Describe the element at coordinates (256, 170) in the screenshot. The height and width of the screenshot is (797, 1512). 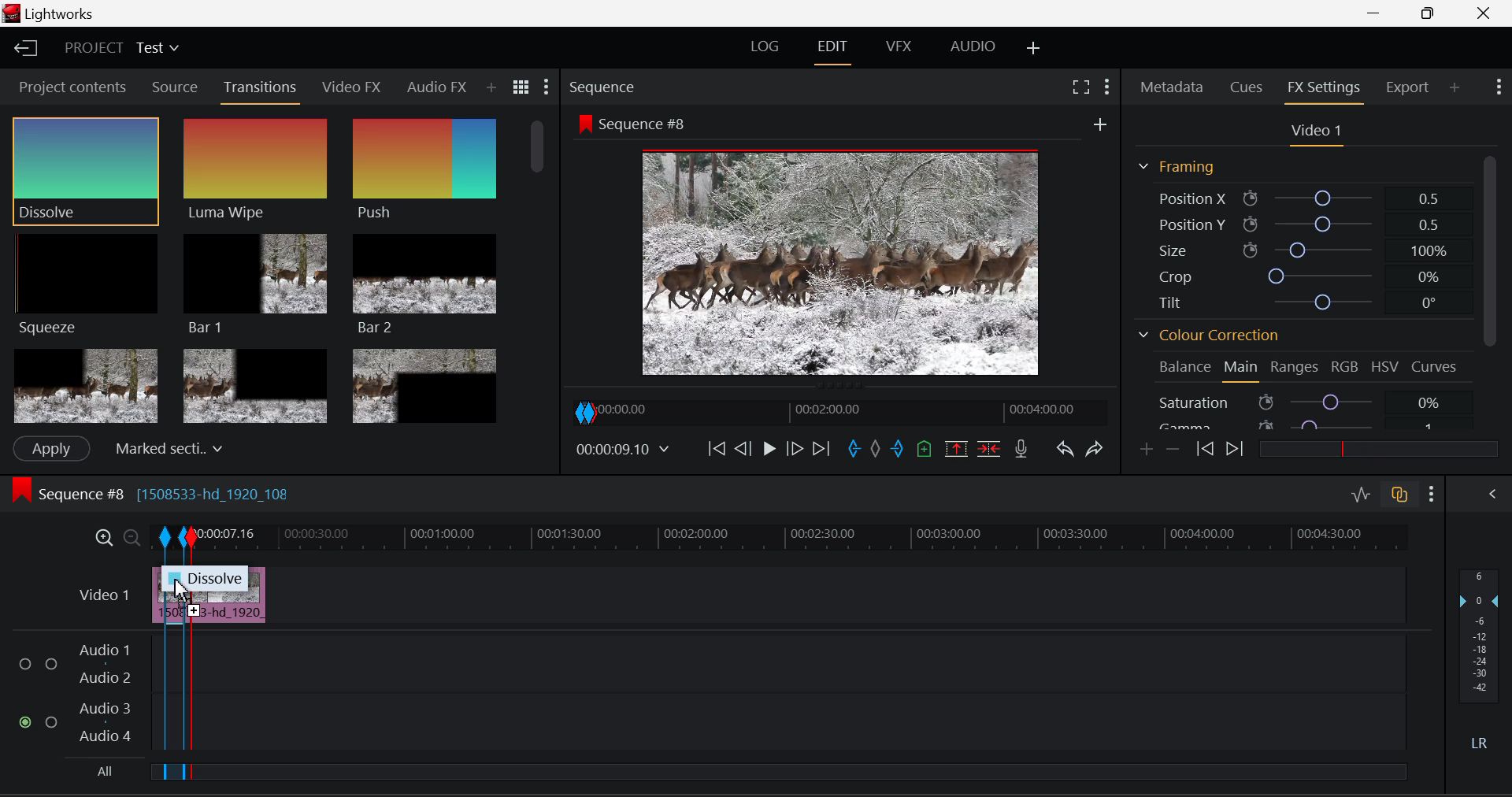
I see `Luma Wipe` at that location.